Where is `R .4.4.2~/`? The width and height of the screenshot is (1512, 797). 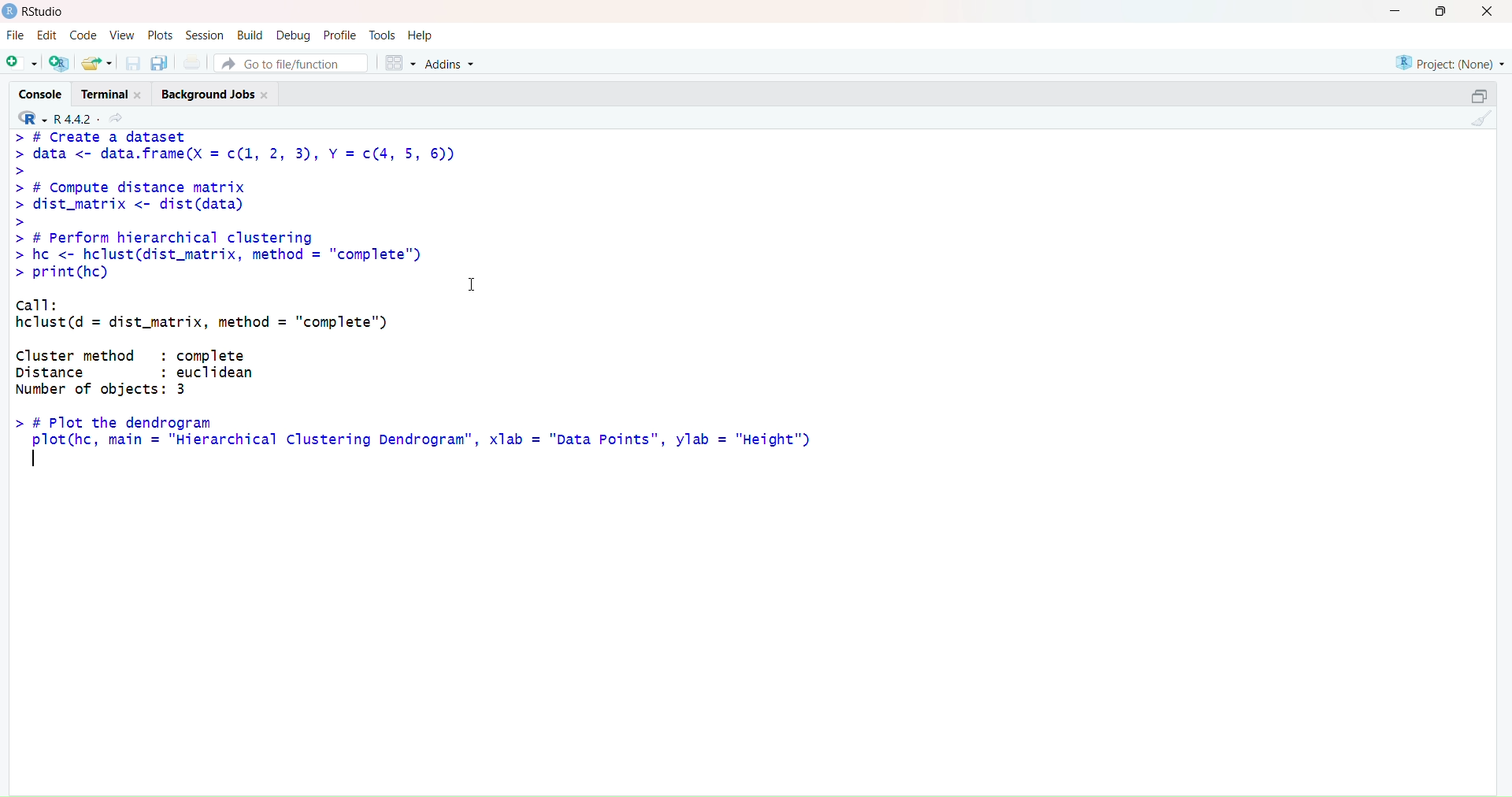 R .4.4.2~/ is located at coordinates (76, 120).